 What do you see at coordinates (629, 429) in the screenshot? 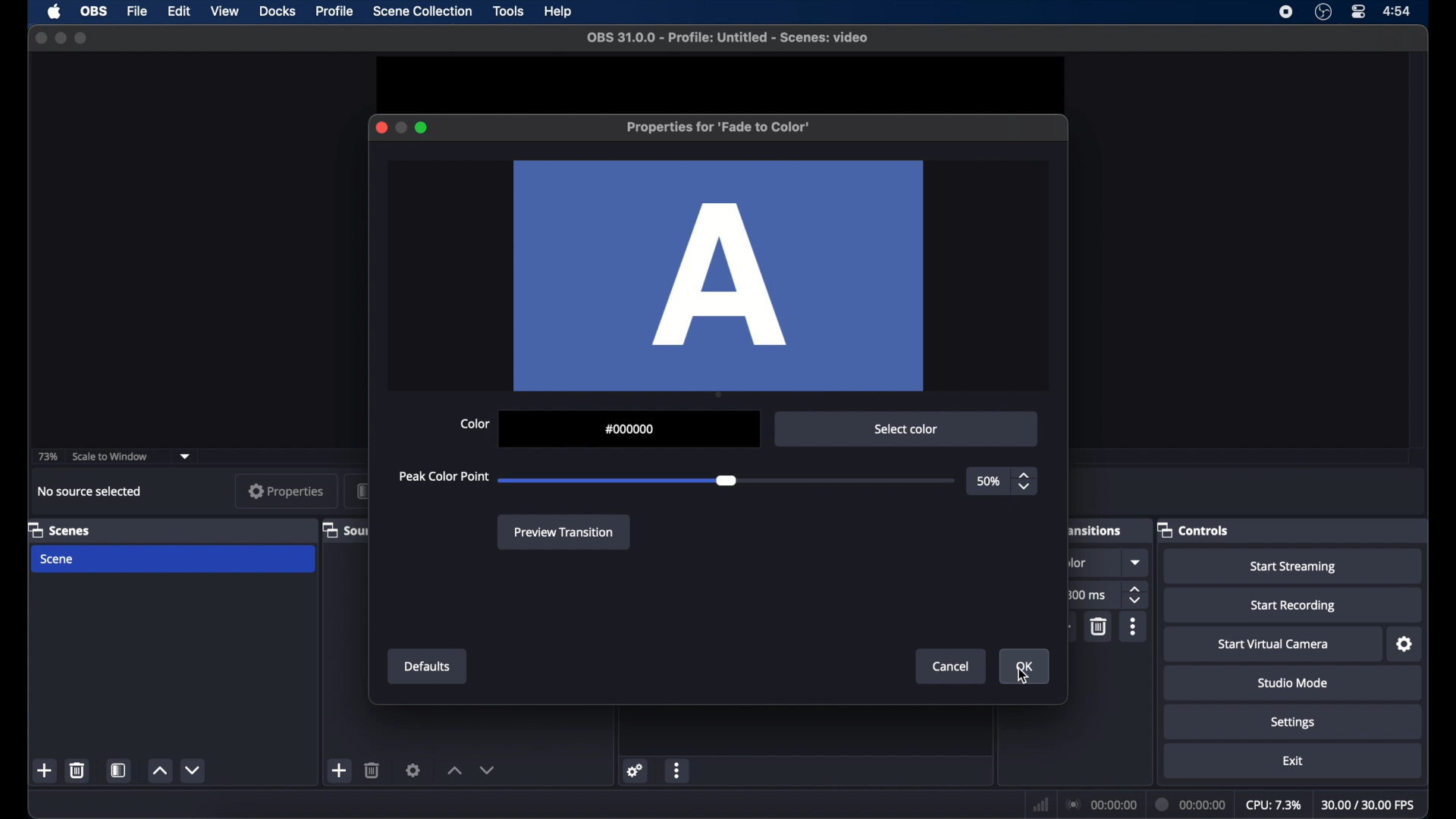
I see `000000` at bounding box center [629, 429].